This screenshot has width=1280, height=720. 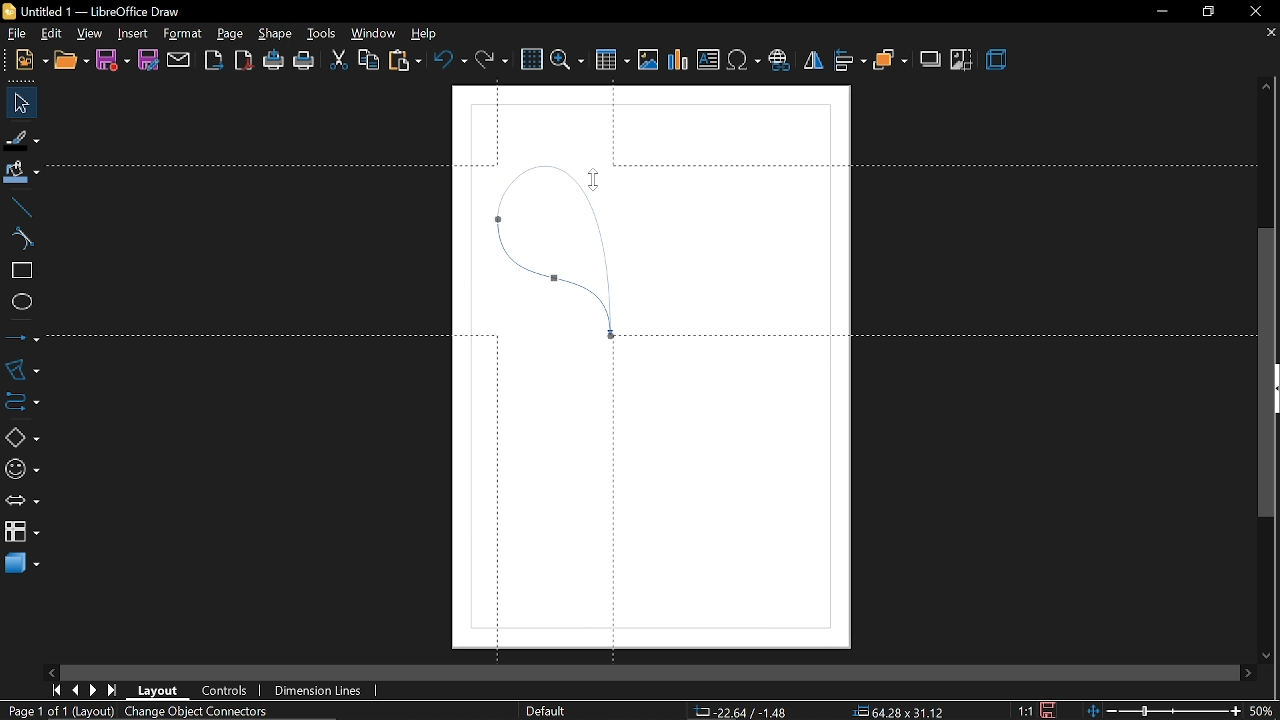 I want to click on zoom, so click(x=567, y=60).